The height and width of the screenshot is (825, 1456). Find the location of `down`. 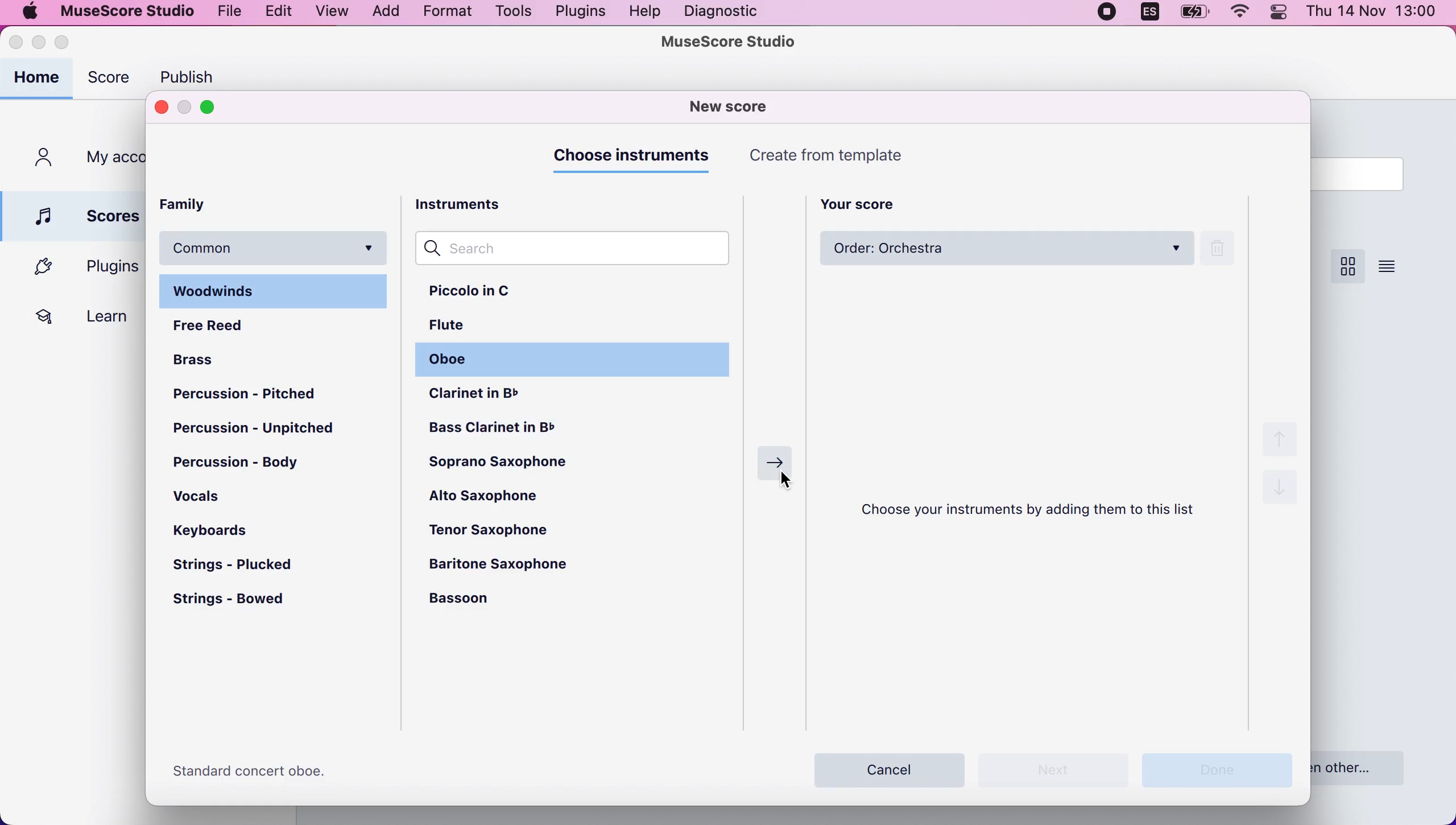

down is located at coordinates (1281, 494).